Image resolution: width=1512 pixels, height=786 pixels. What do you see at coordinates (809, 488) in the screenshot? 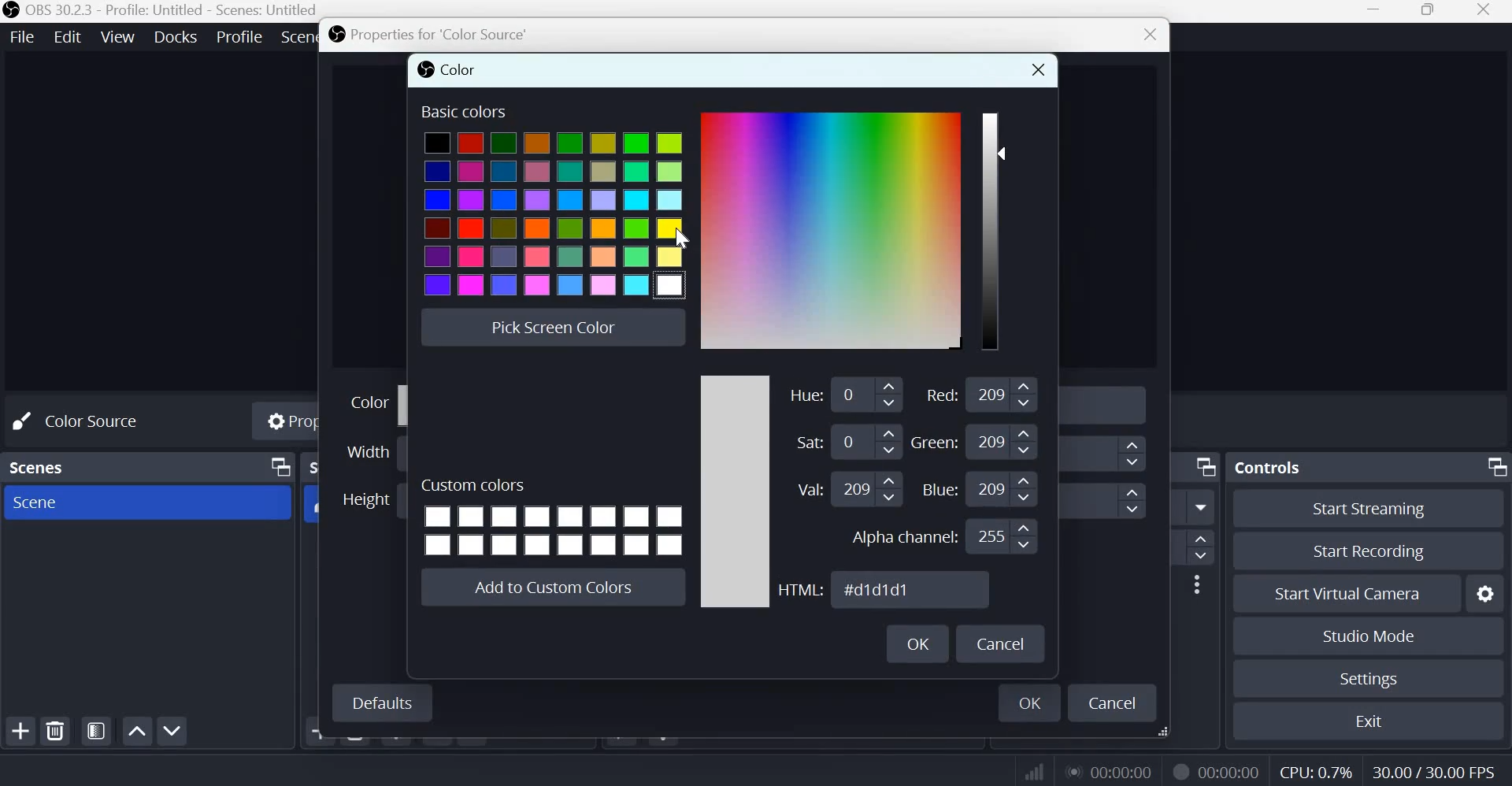
I see `Value: ` at bounding box center [809, 488].